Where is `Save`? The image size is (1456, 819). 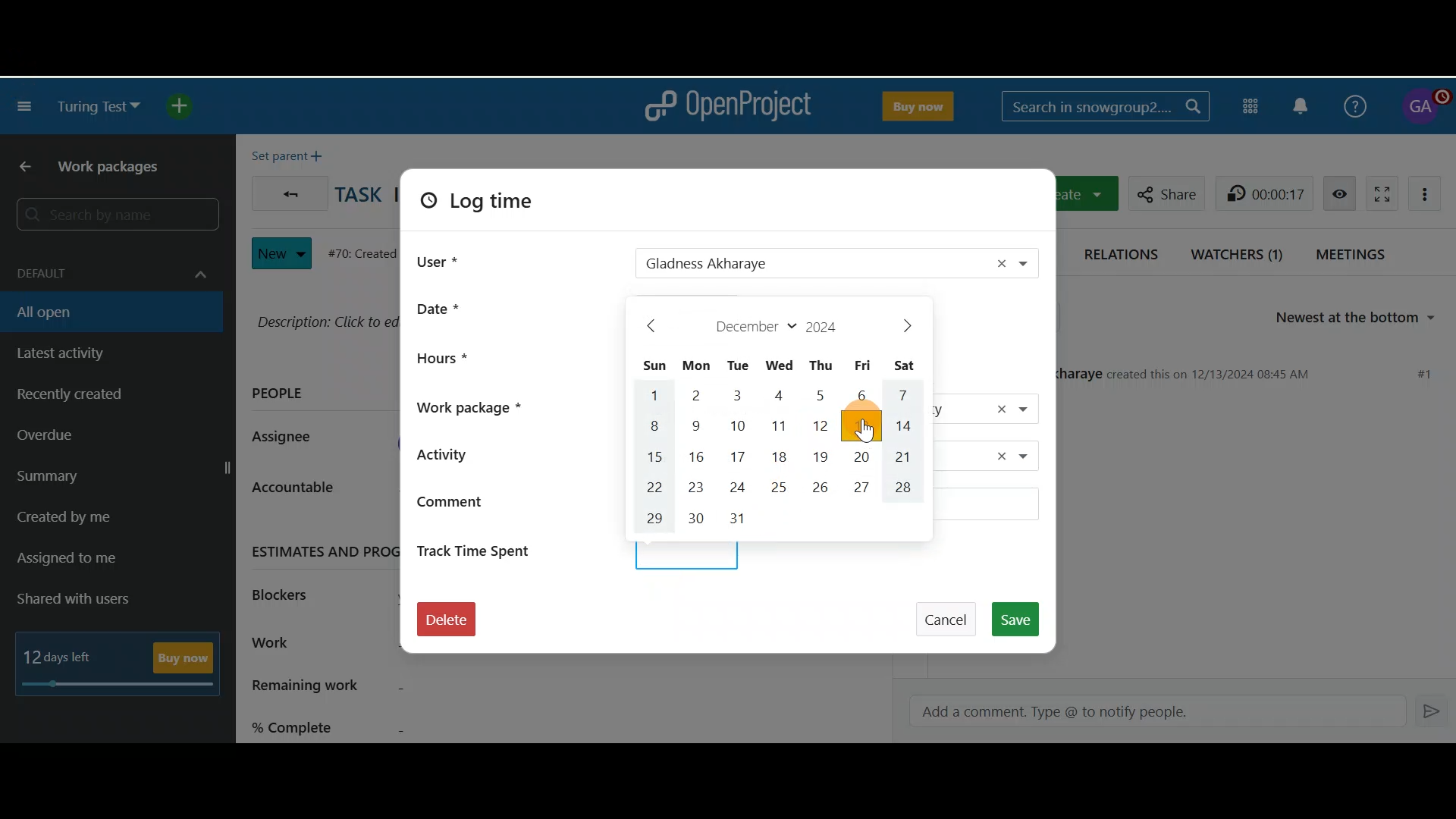
Save is located at coordinates (1021, 618).